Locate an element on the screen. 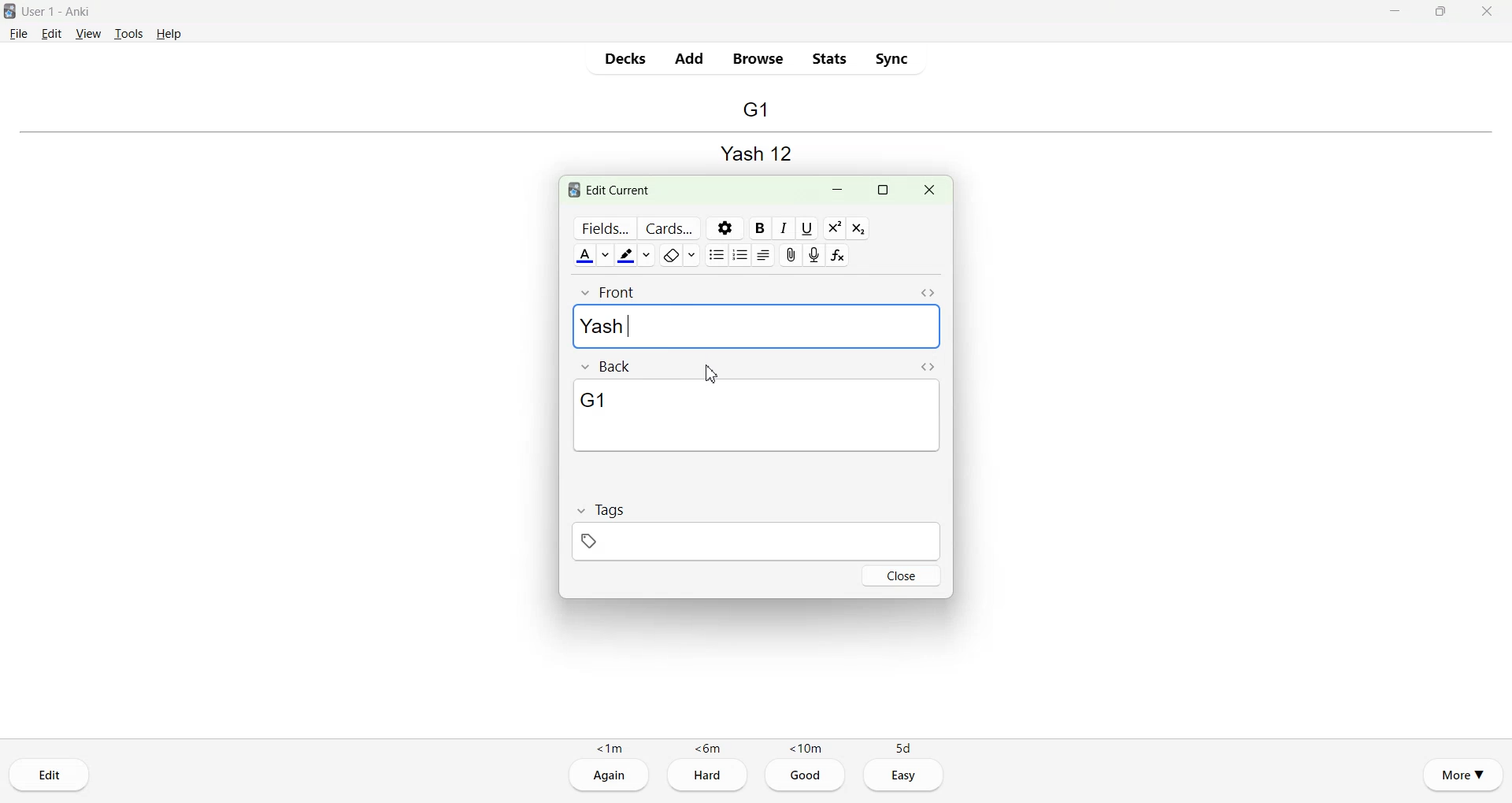 This screenshot has height=803, width=1512. Close is located at coordinates (902, 575).